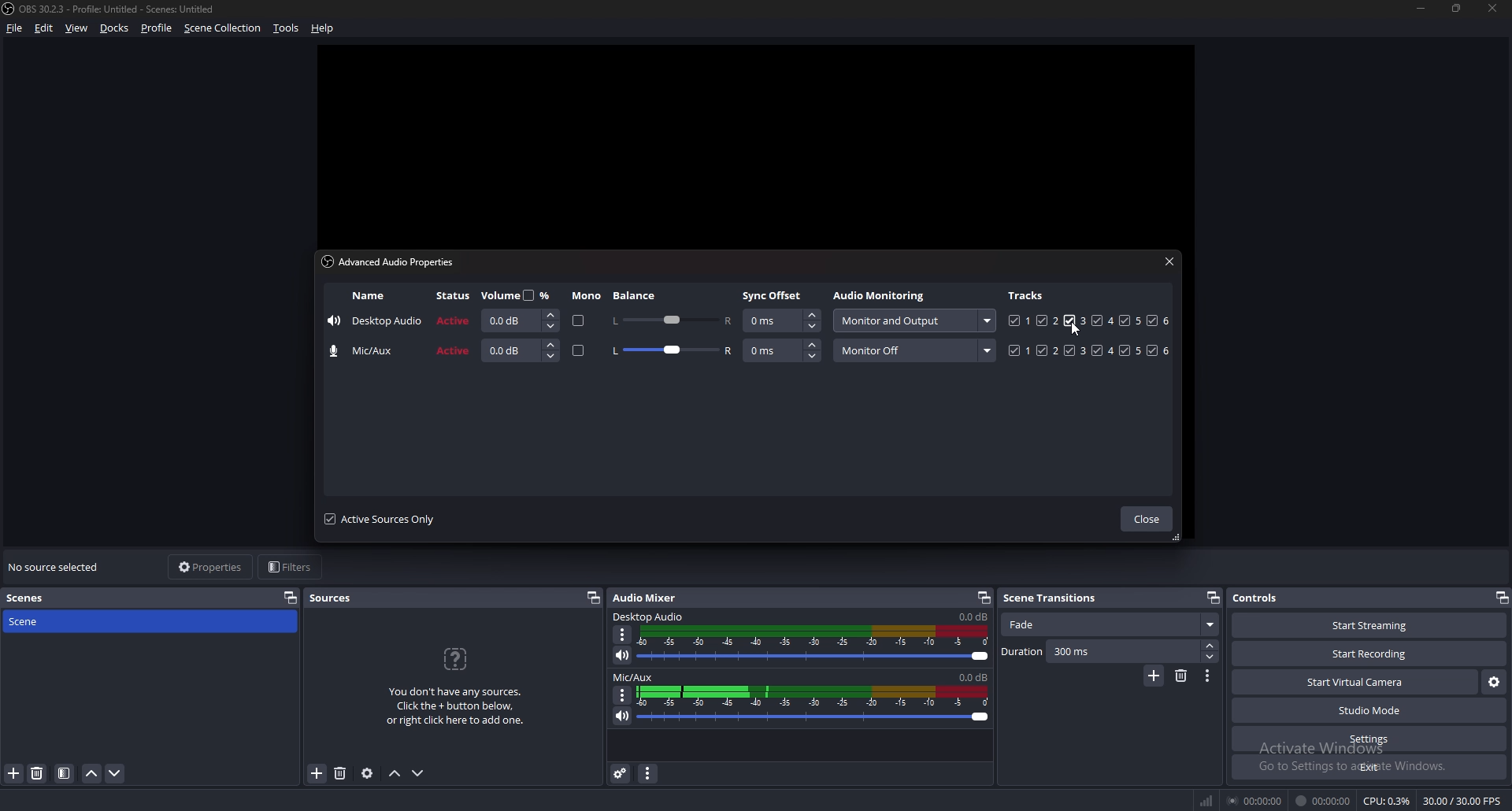 Image resolution: width=1512 pixels, height=811 pixels. What do you see at coordinates (291, 598) in the screenshot?
I see `pop out` at bounding box center [291, 598].